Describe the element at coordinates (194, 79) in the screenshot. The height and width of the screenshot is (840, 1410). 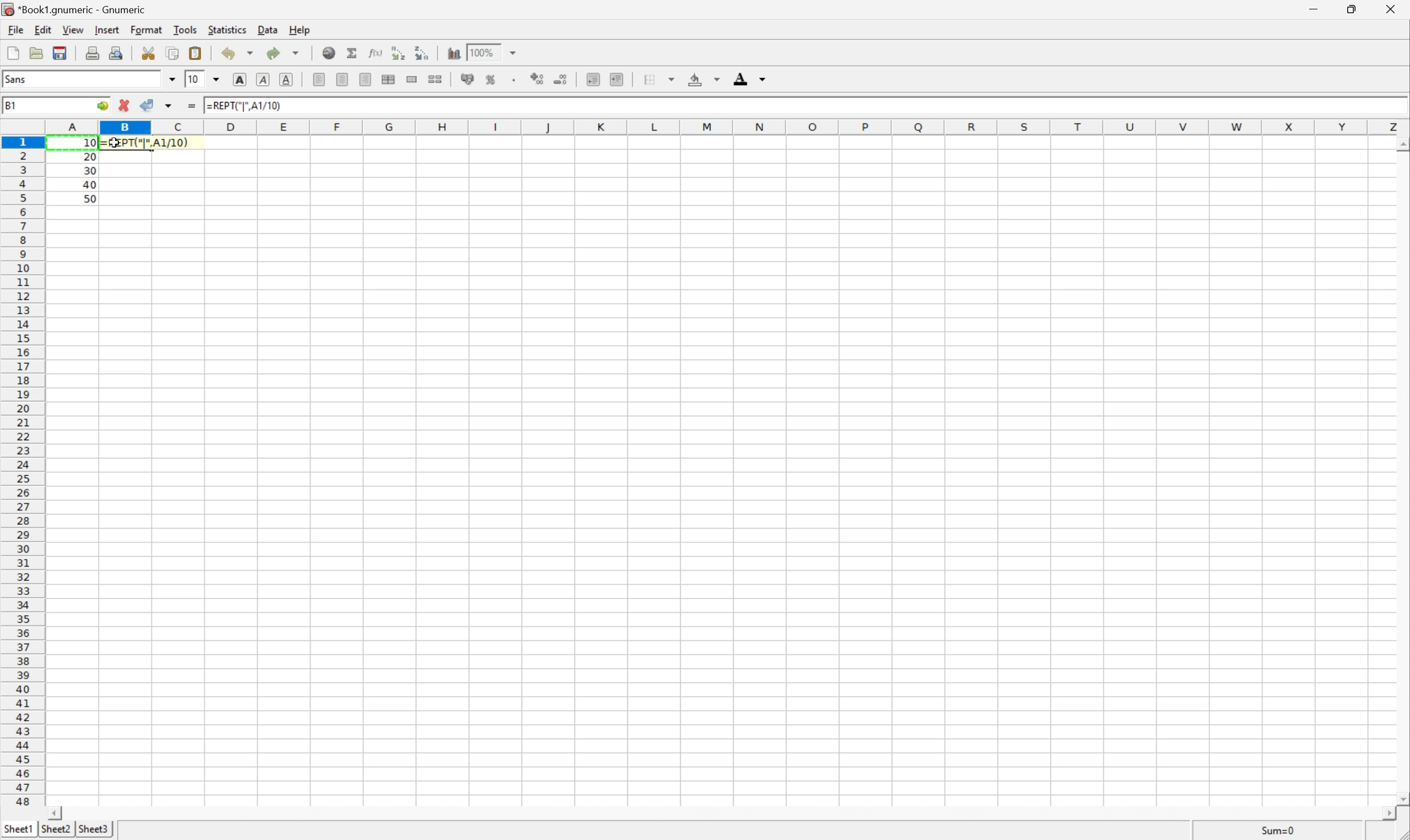
I see `10` at that location.